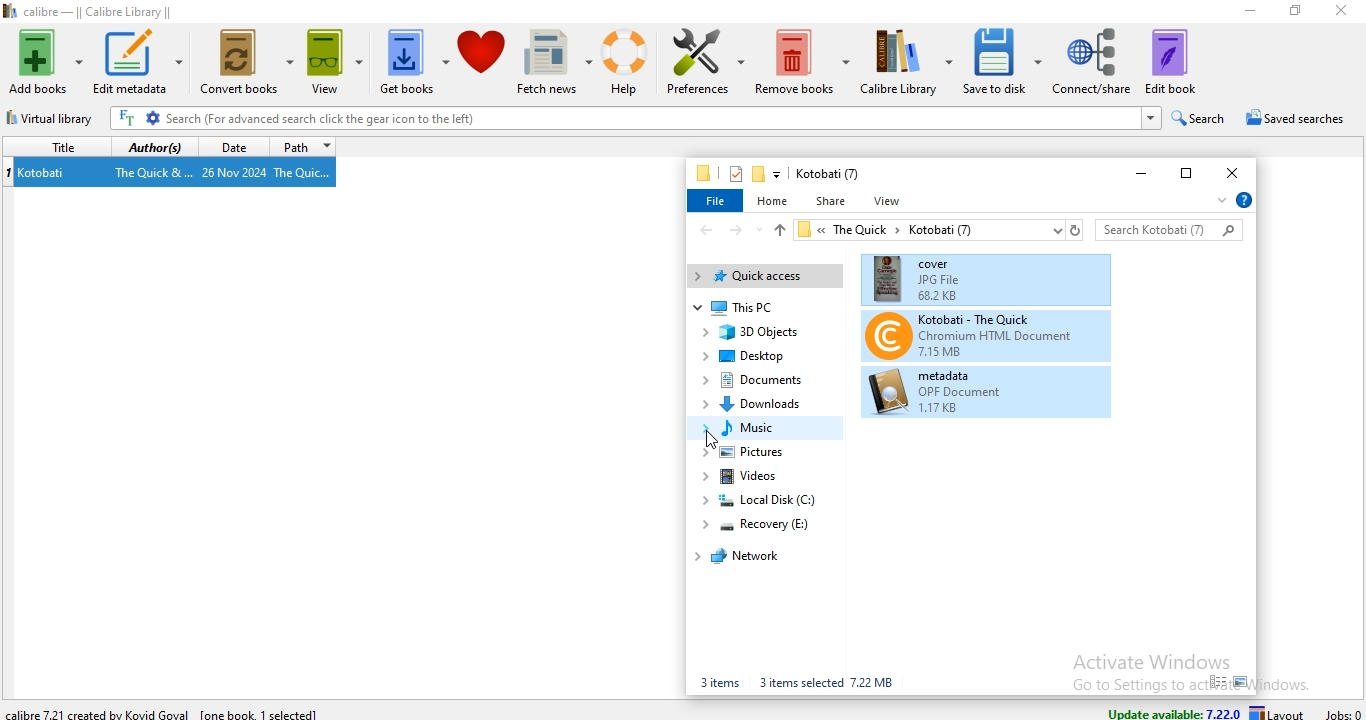  I want to click on new folder, so click(759, 175).